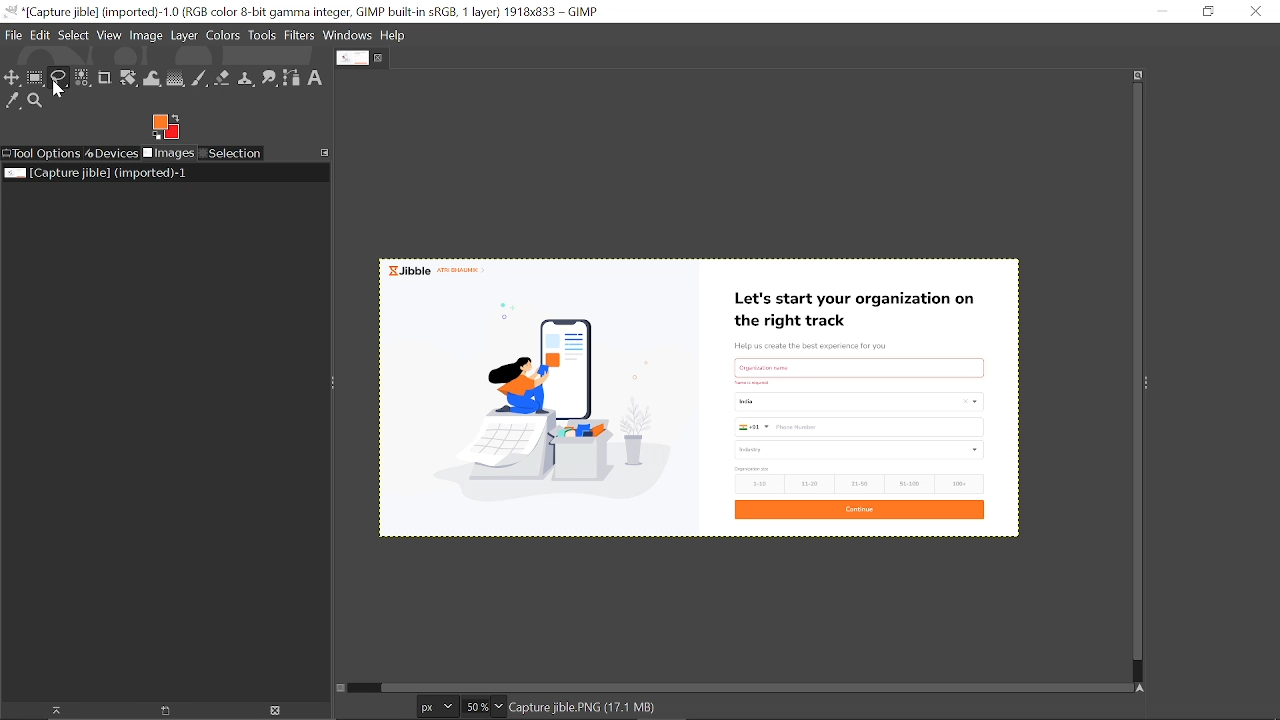 The image size is (1280, 720). Describe the element at coordinates (98, 173) in the screenshot. I see `Current image` at that location.